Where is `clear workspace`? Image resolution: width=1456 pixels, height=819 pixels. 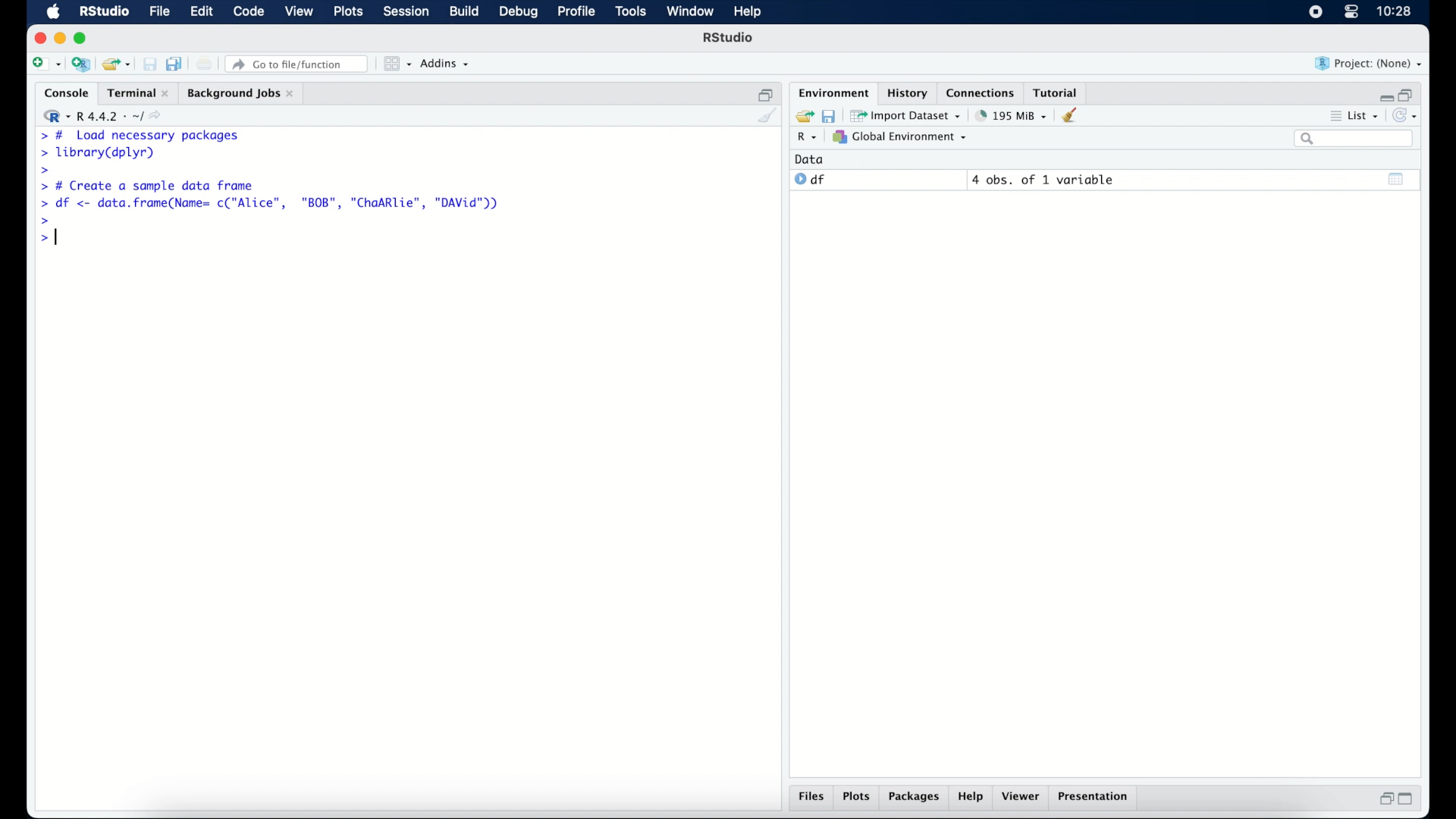 clear workspace is located at coordinates (1075, 116).